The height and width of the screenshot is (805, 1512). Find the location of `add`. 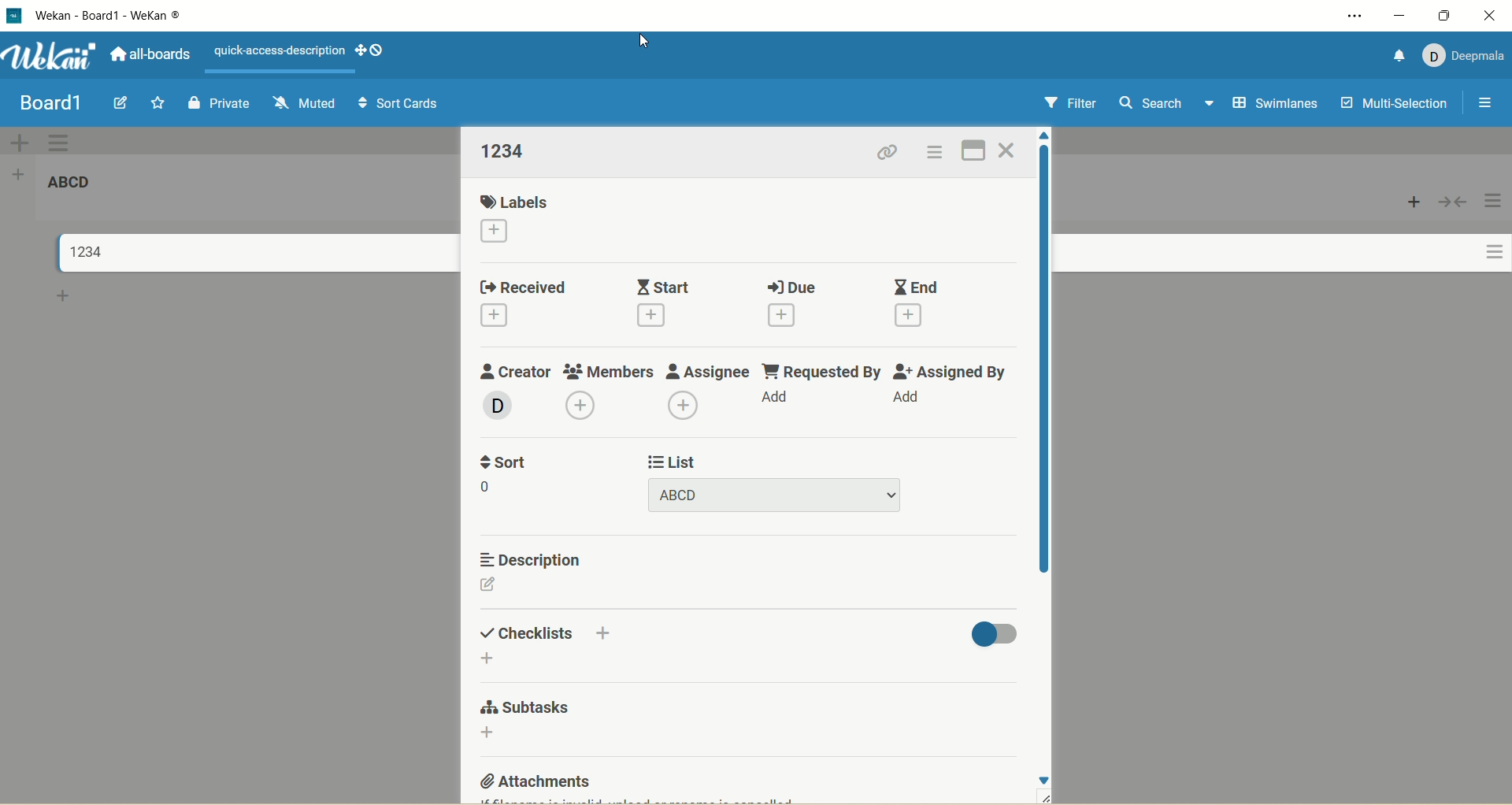

add is located at coordinates (913, 317).